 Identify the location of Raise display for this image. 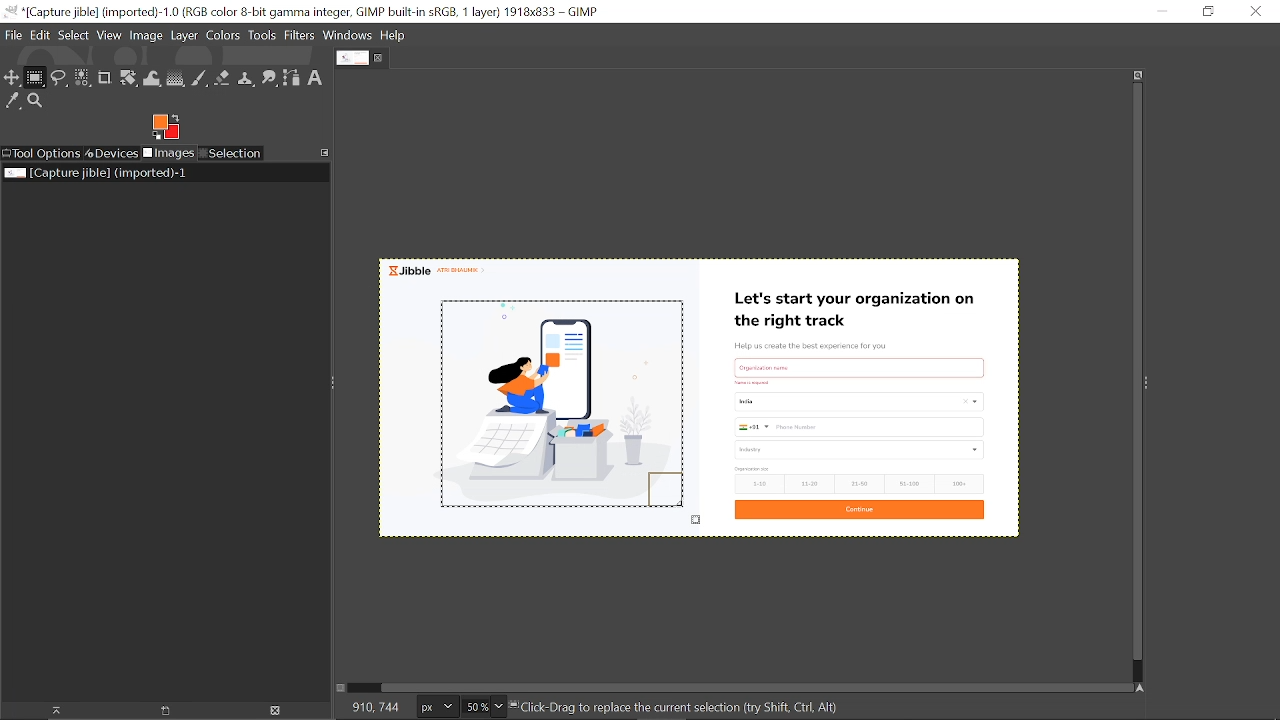
(50, 710).